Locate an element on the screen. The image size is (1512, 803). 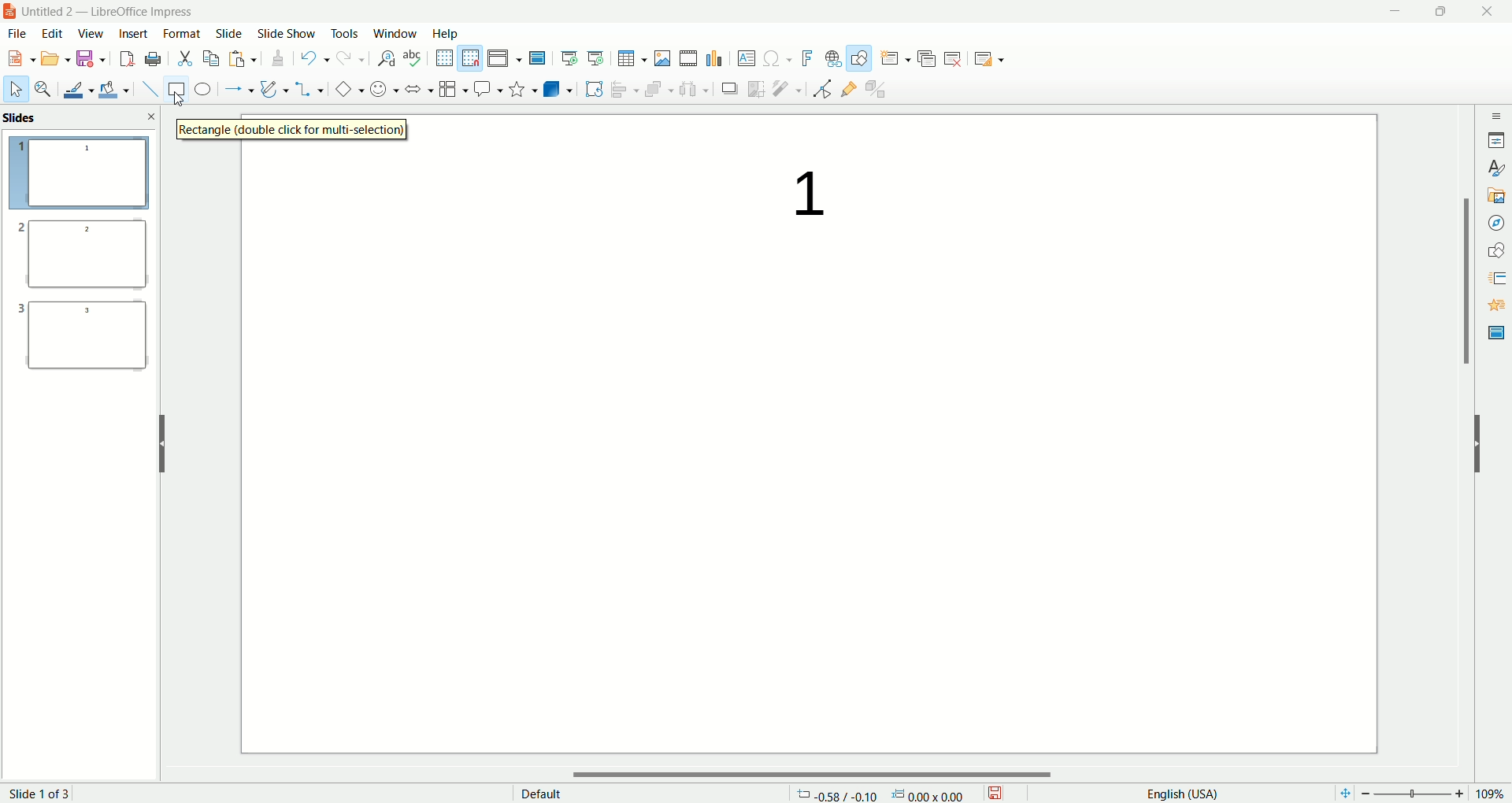
gallery is located at coordinates (1496, 195).